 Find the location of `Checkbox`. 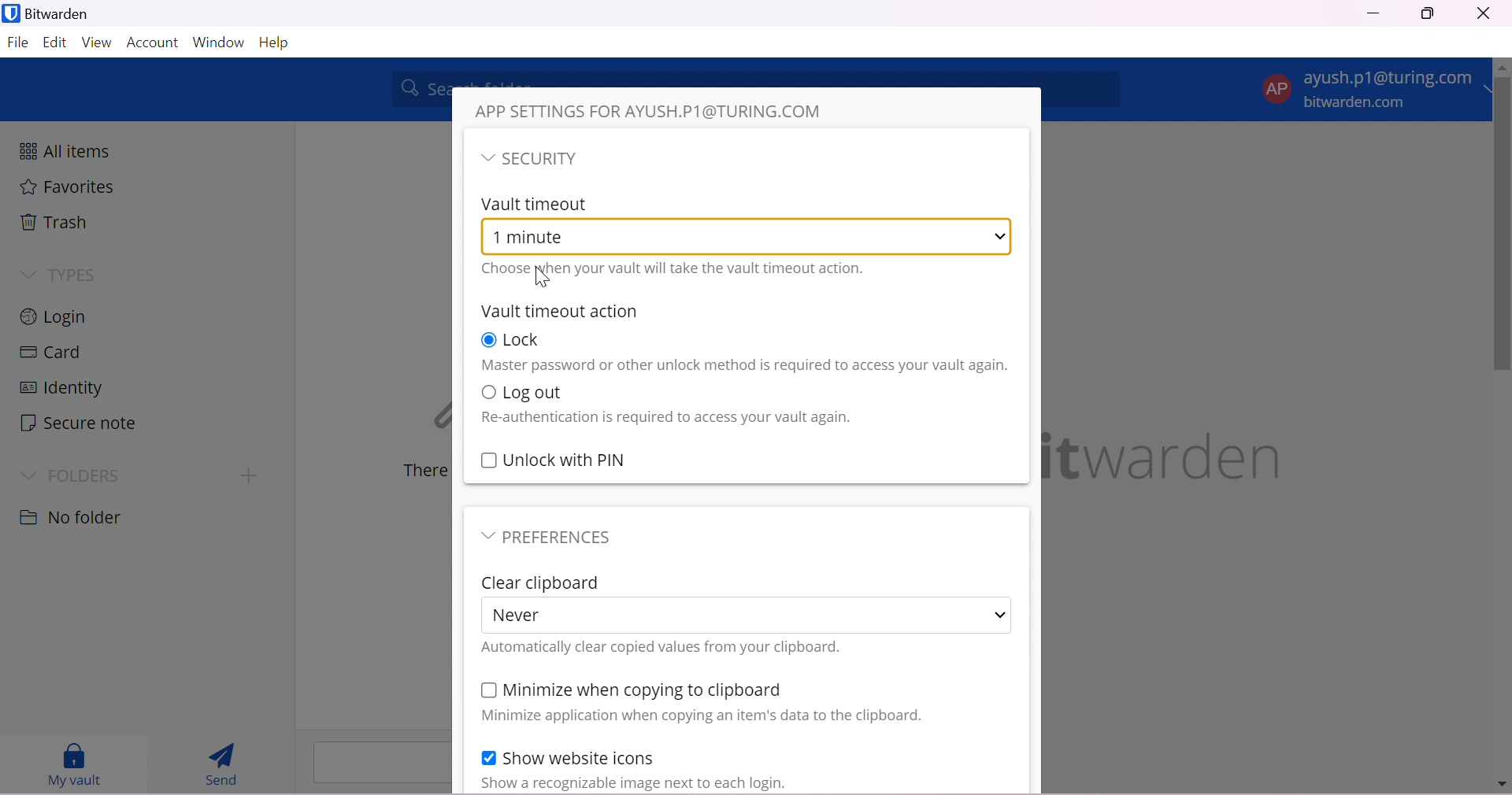

Checkbox is located at coordinates (486, 692).